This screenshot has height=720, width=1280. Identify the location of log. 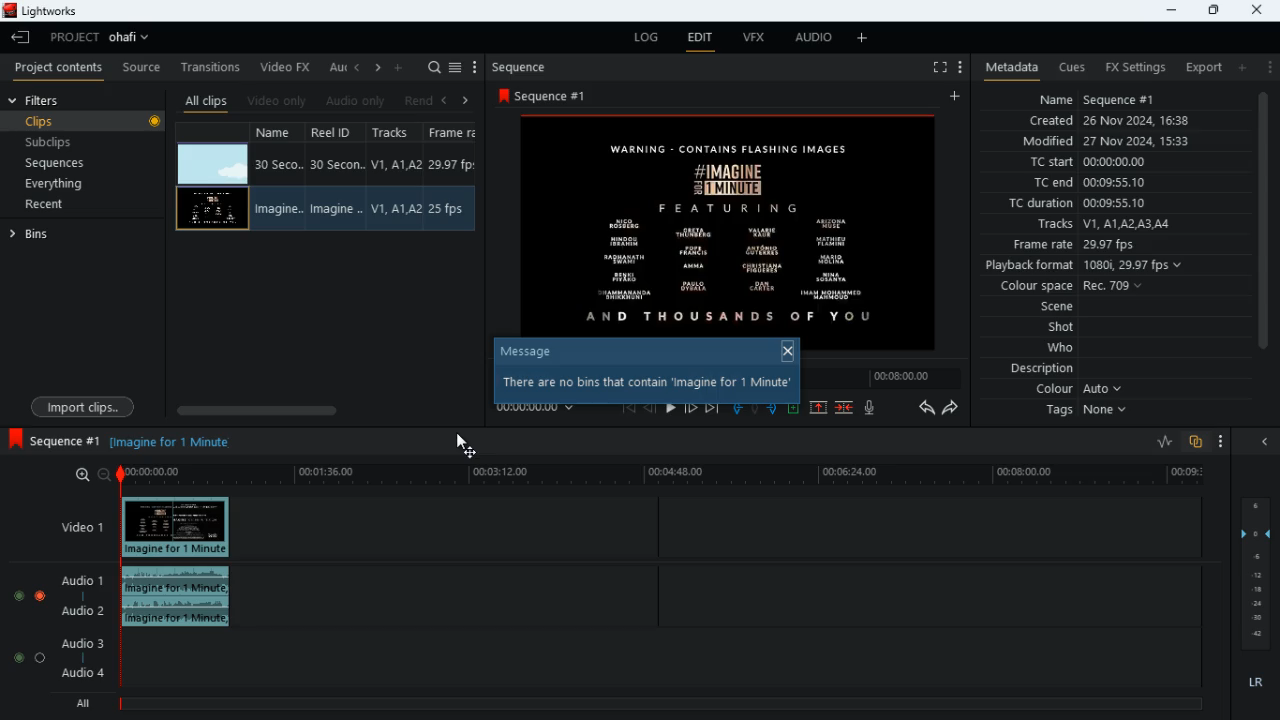
(650, 38).